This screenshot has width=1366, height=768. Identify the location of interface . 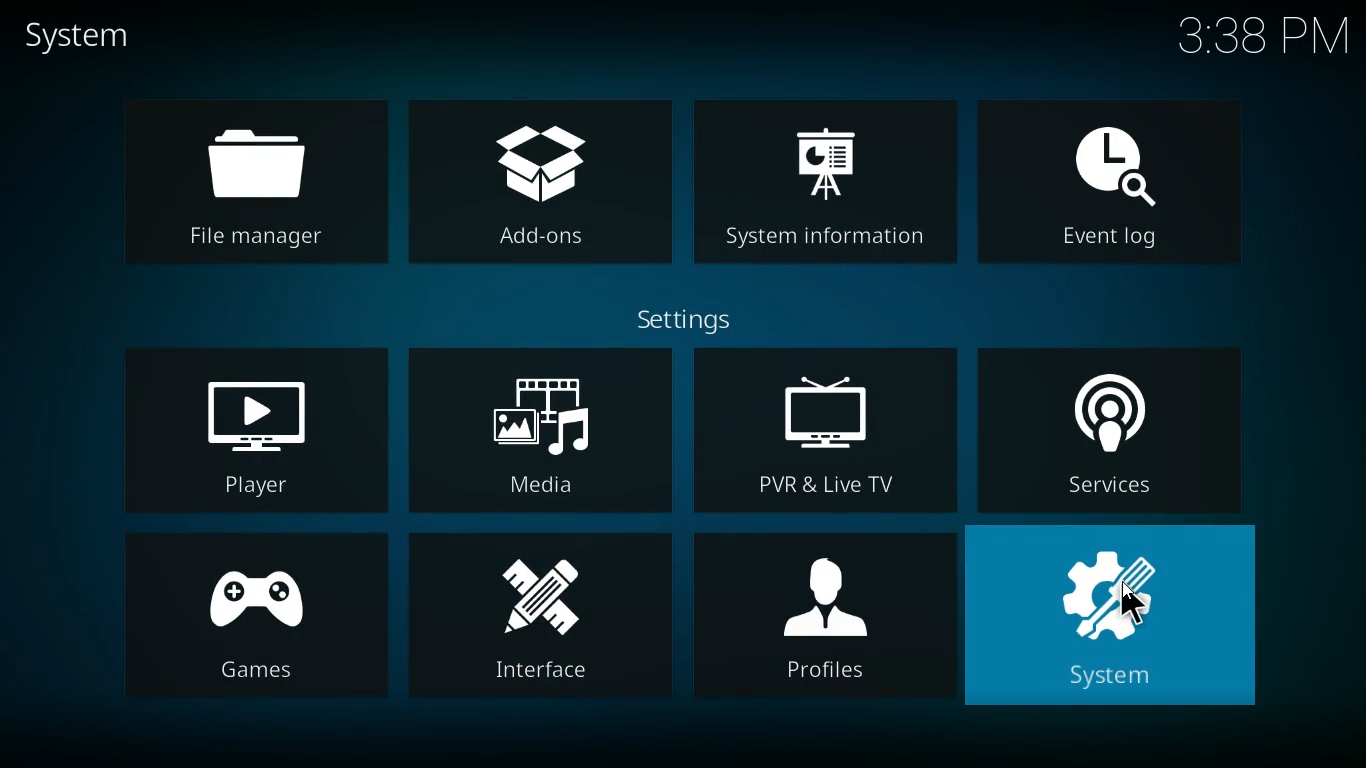
(540, 622).